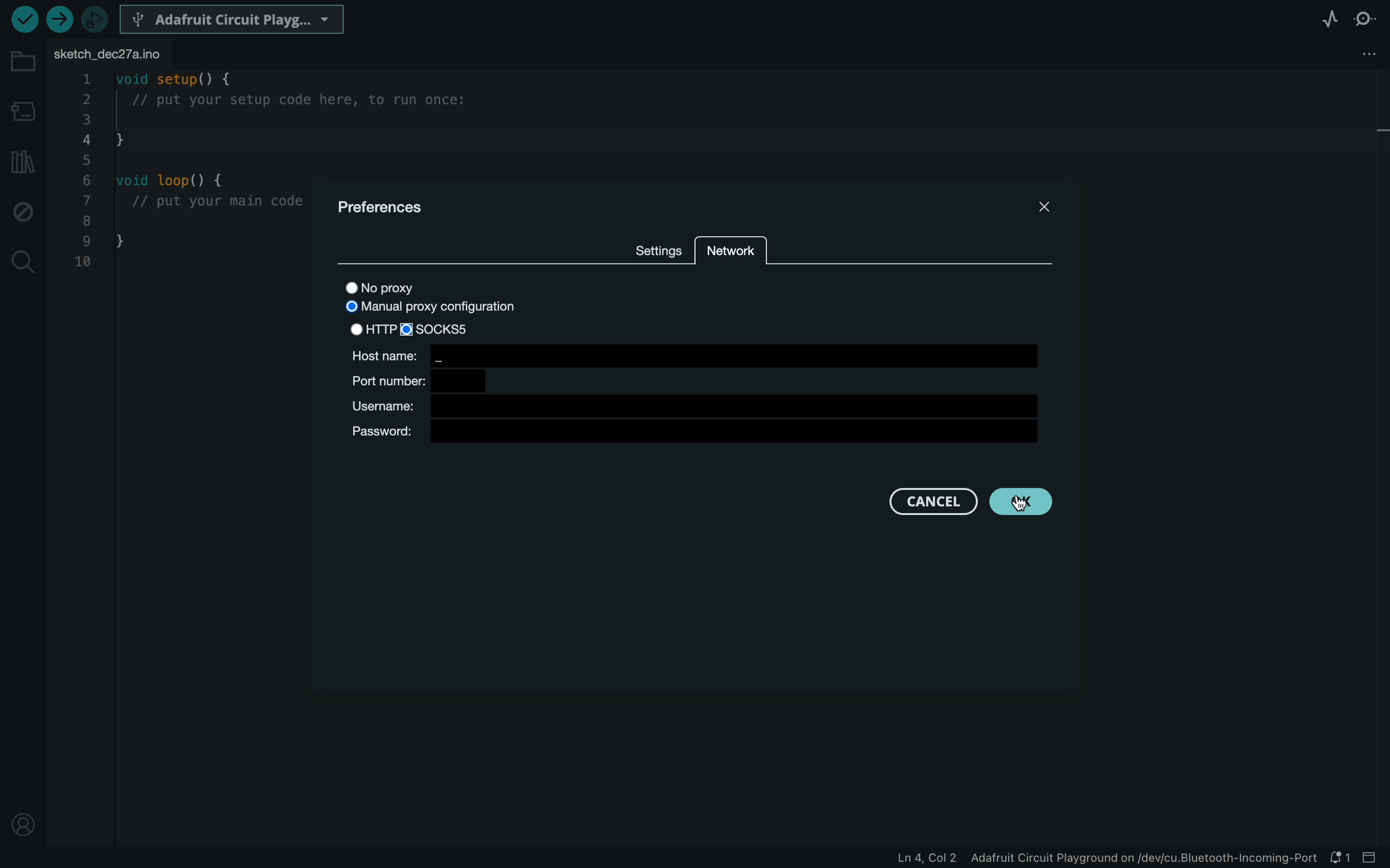 The height and width of the screenshot is (868, 1390). What do you see at coordinates (23, 208) in the screenshot?
I see `debug` at bounding box center [23, 208].